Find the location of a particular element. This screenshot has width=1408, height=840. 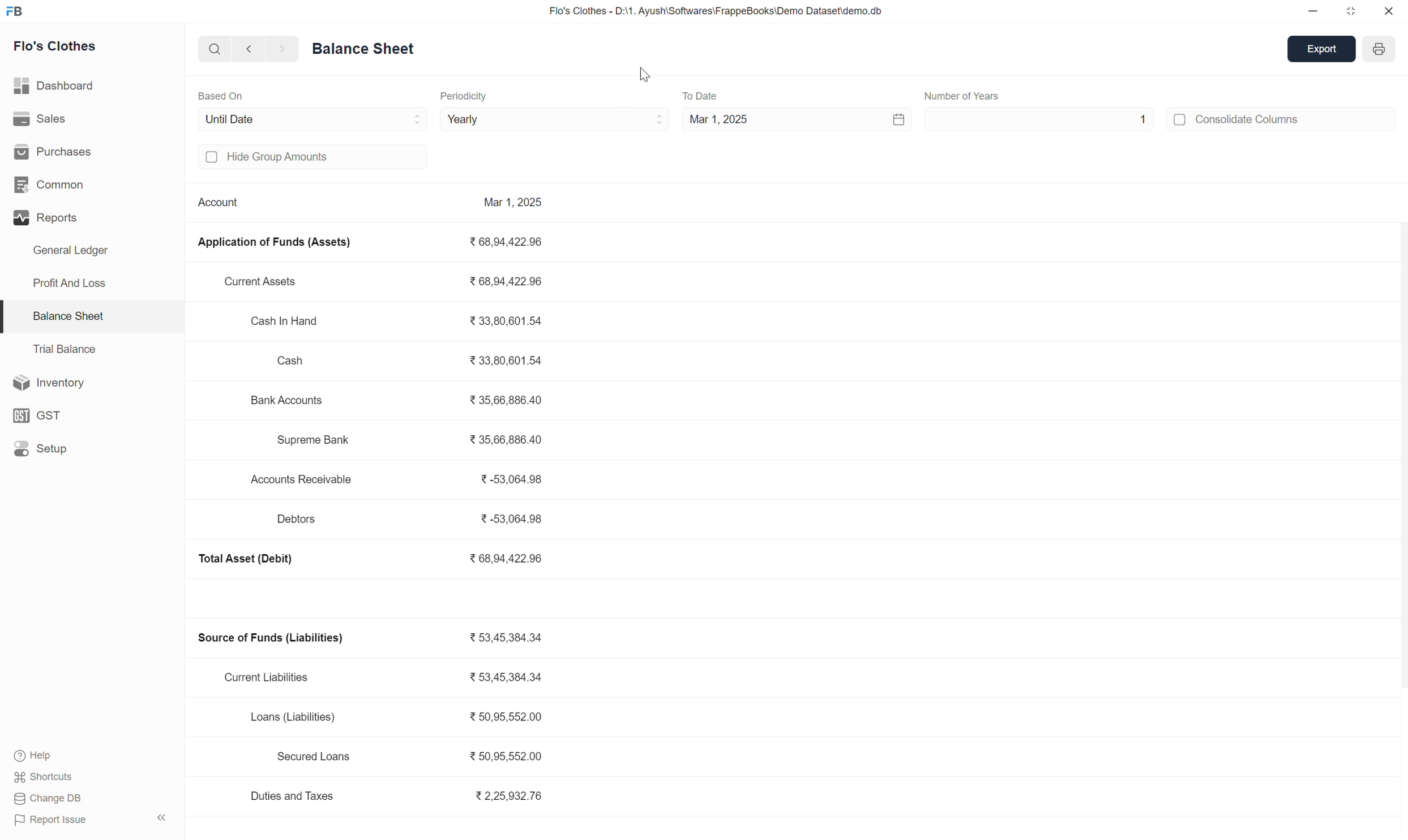

Sales is located at coordinates (50, 121).